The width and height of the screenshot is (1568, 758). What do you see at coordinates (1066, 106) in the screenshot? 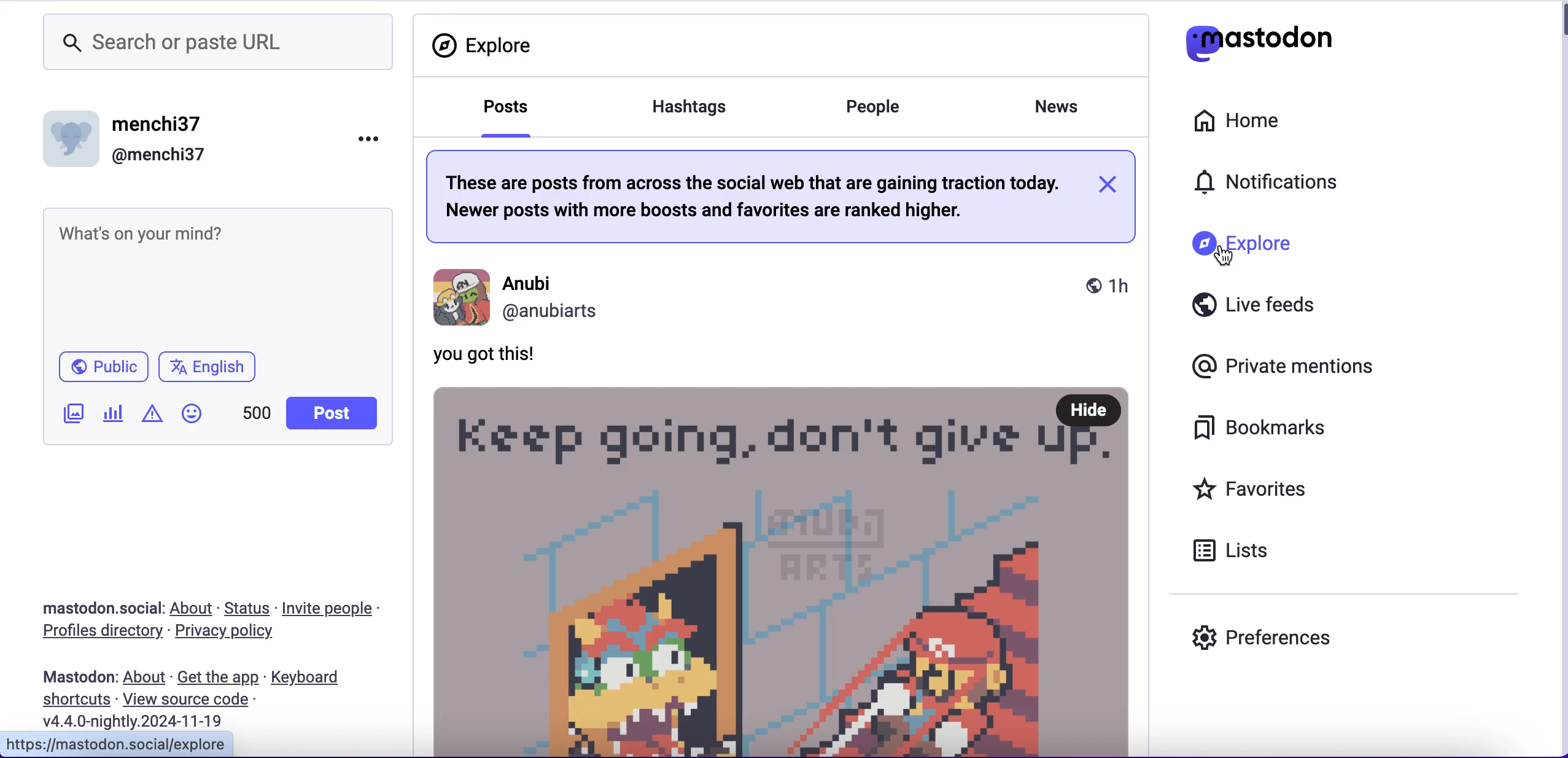
I see `news` at bounding box center [1066, 106].